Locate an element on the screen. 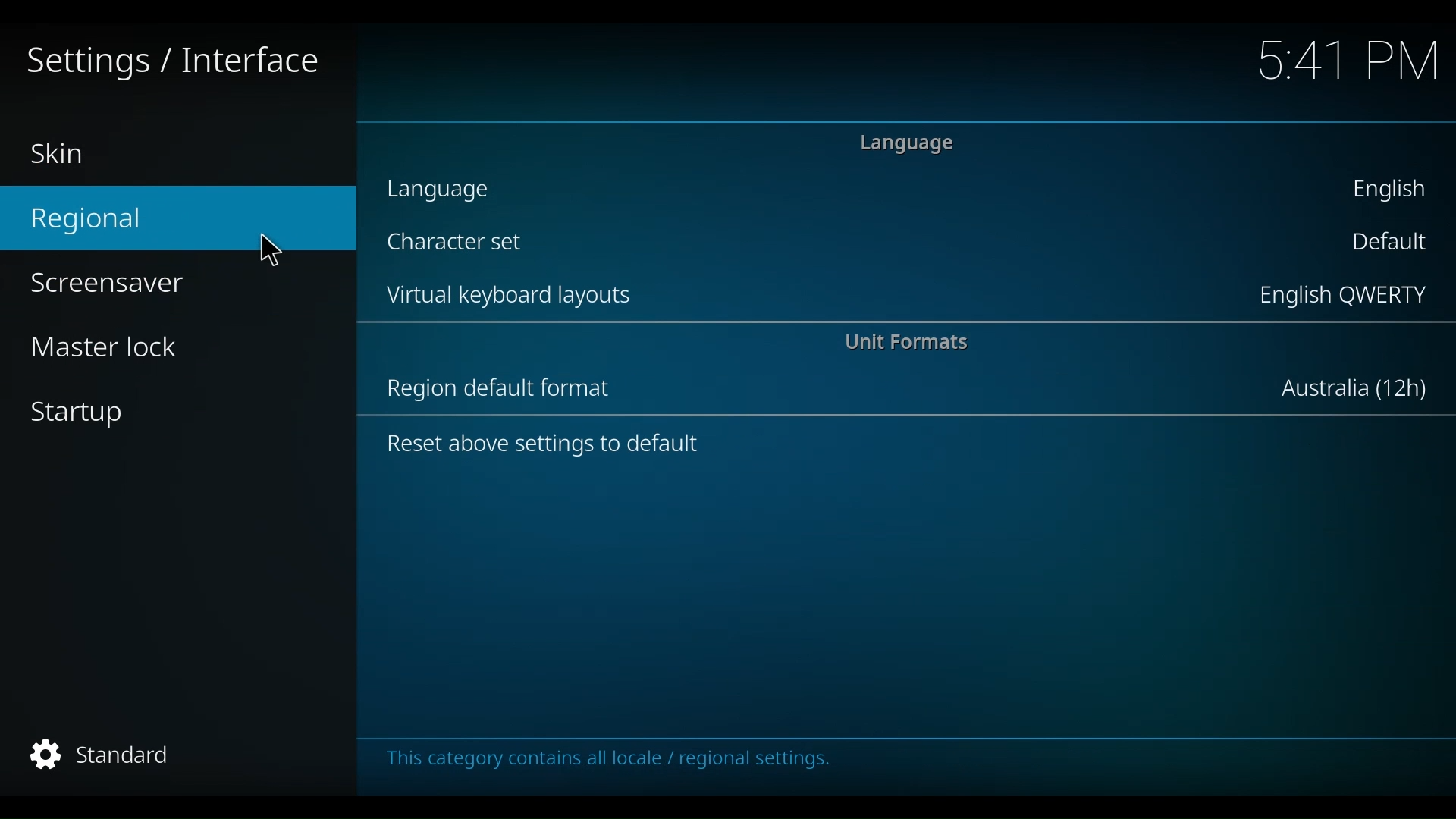 This screenshot has width=1456, height=819. Skin is located at coordinates (69, 152).